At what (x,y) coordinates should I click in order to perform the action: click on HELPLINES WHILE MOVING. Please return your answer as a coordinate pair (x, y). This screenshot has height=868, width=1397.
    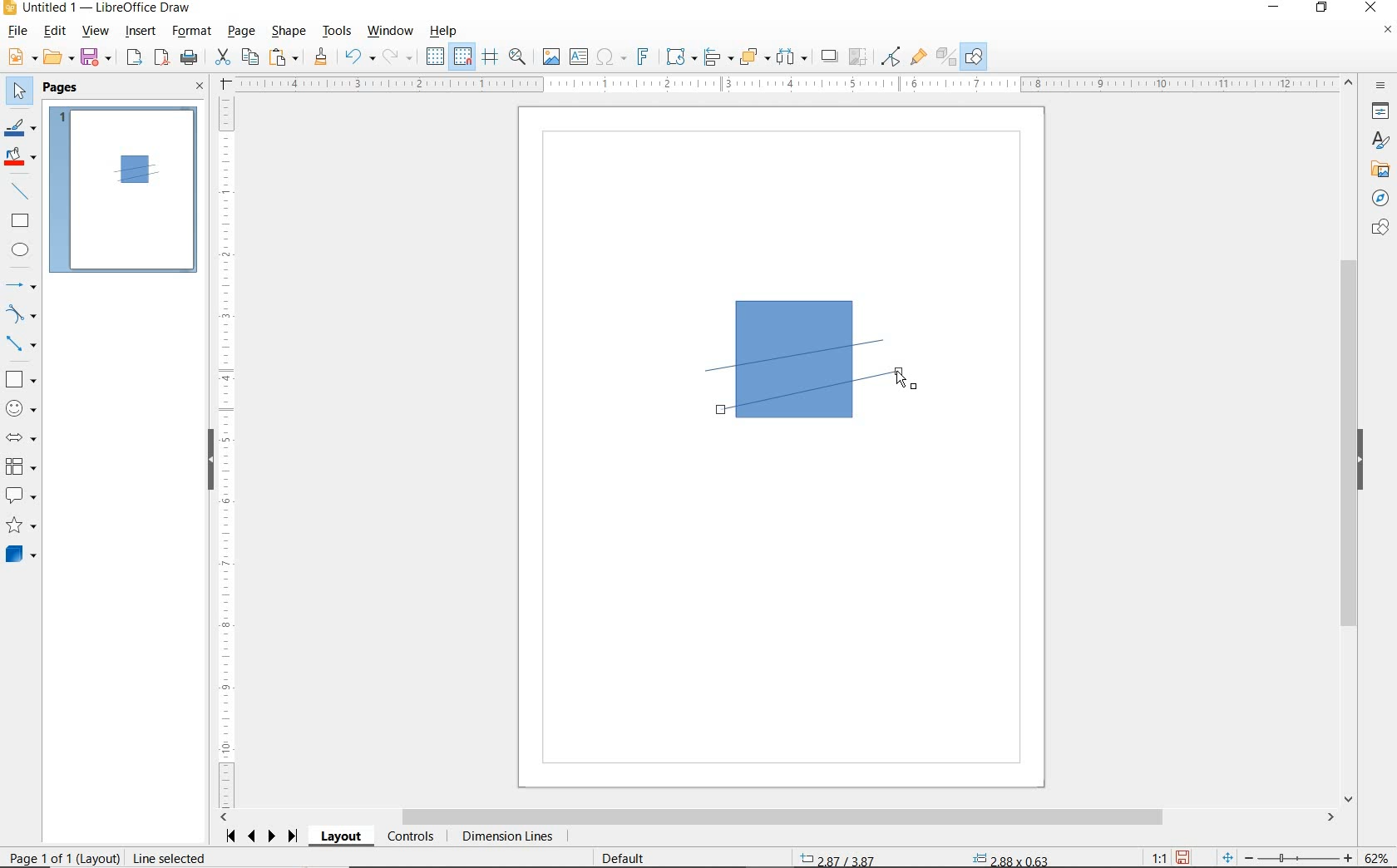
    Looking at the image, I should click on (493, 59).